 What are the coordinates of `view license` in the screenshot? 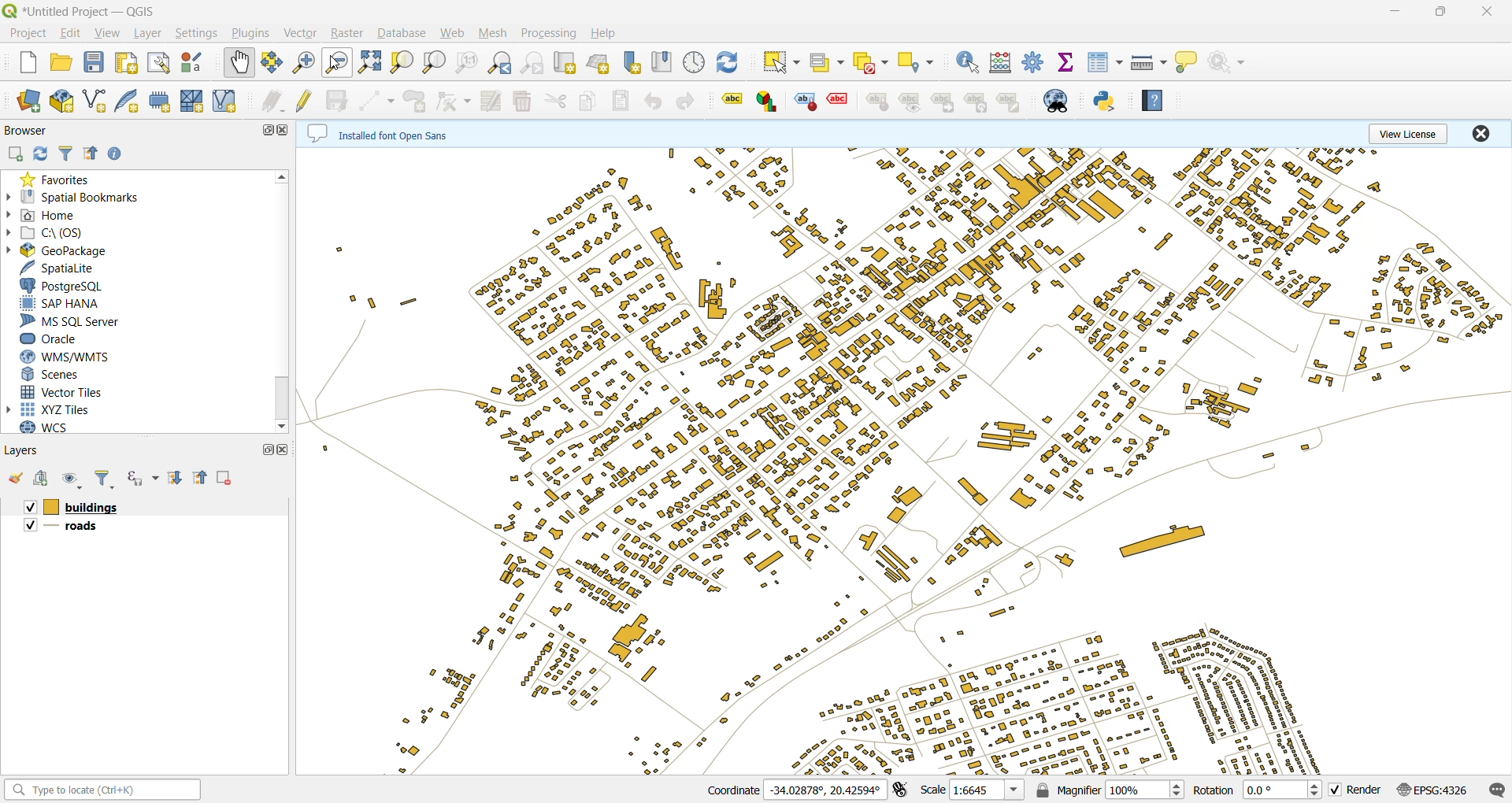 It's located at (1410, 134).